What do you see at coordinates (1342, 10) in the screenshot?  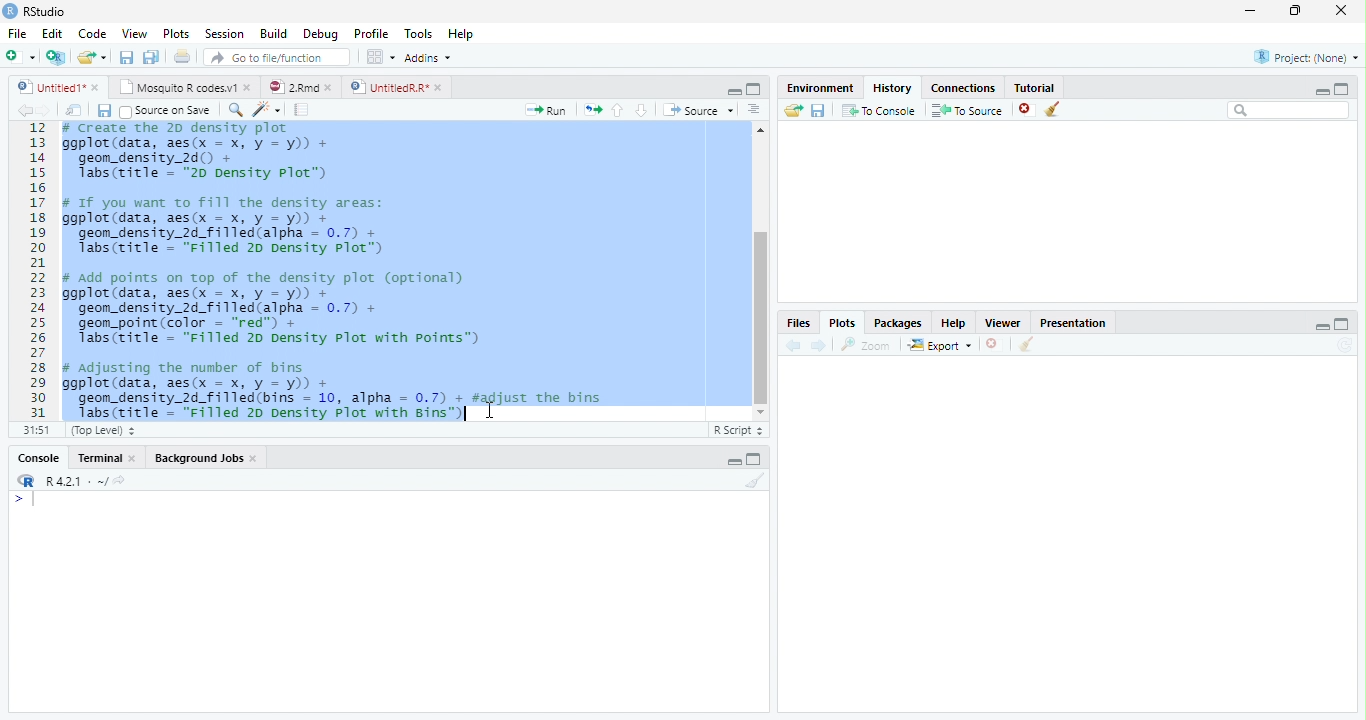 I see `close` at bounding box center [1342, 10].